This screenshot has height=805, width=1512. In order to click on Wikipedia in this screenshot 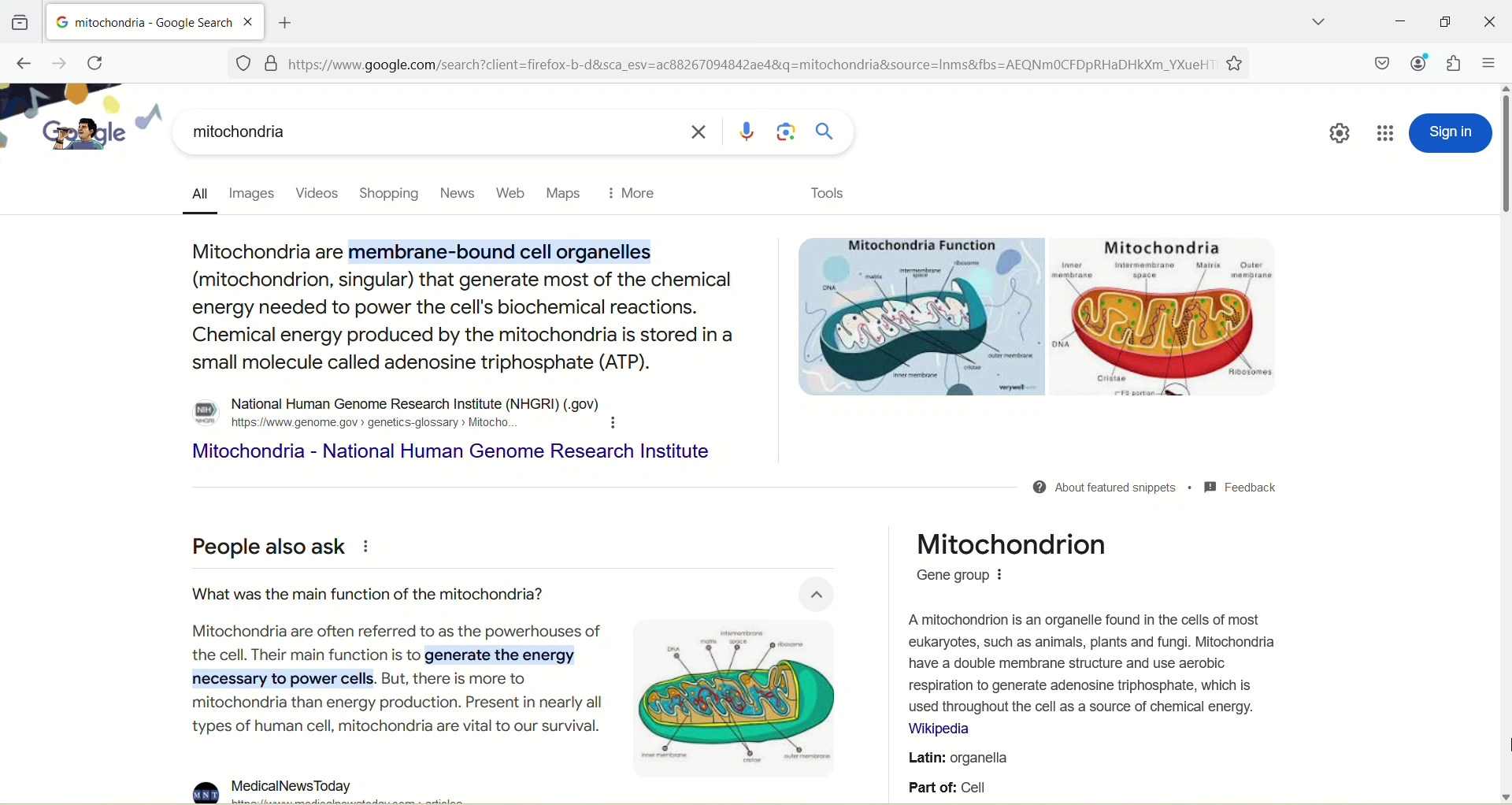, I will do `click(929, 729)`.